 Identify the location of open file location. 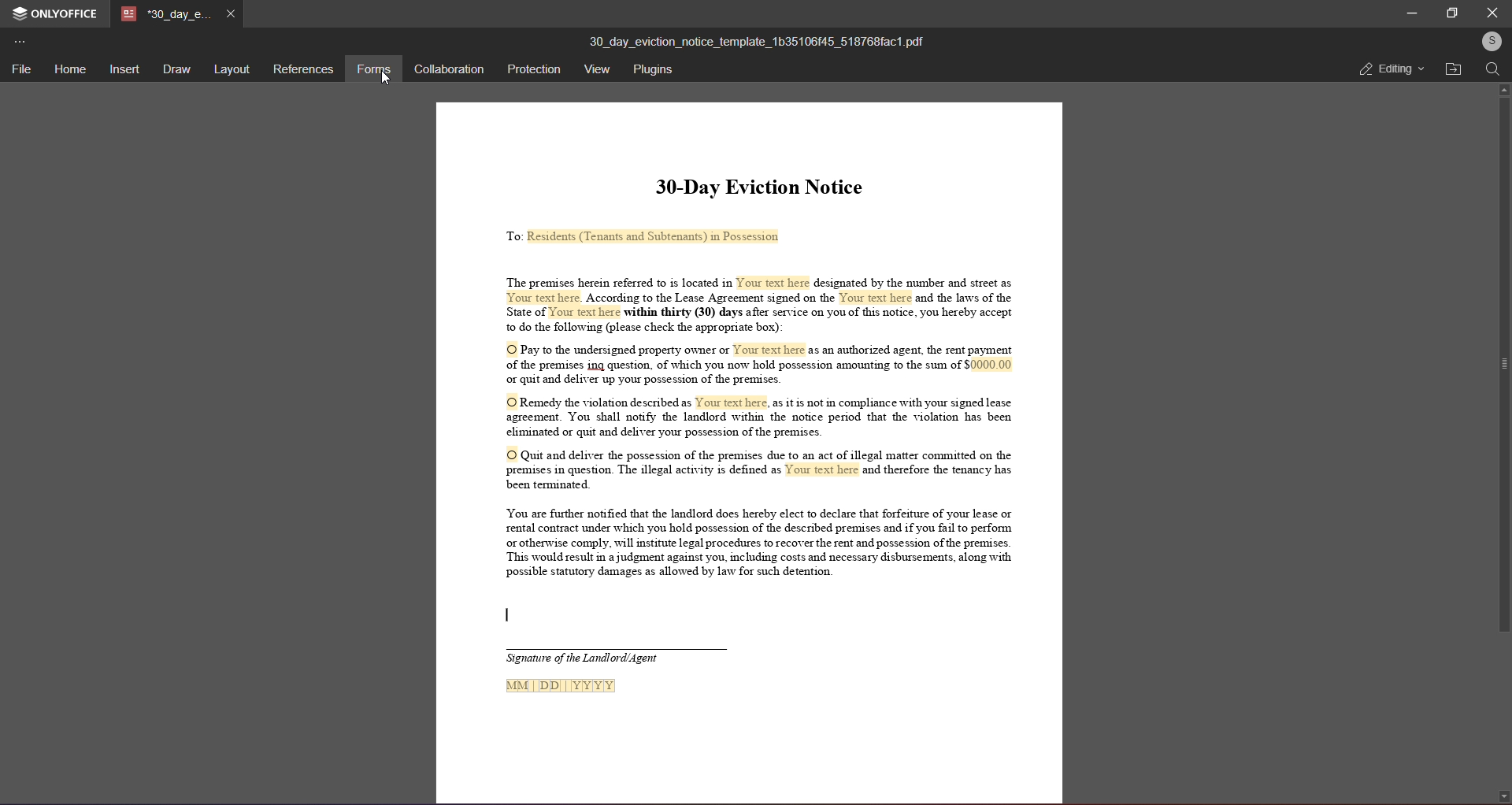
(1452, 69).